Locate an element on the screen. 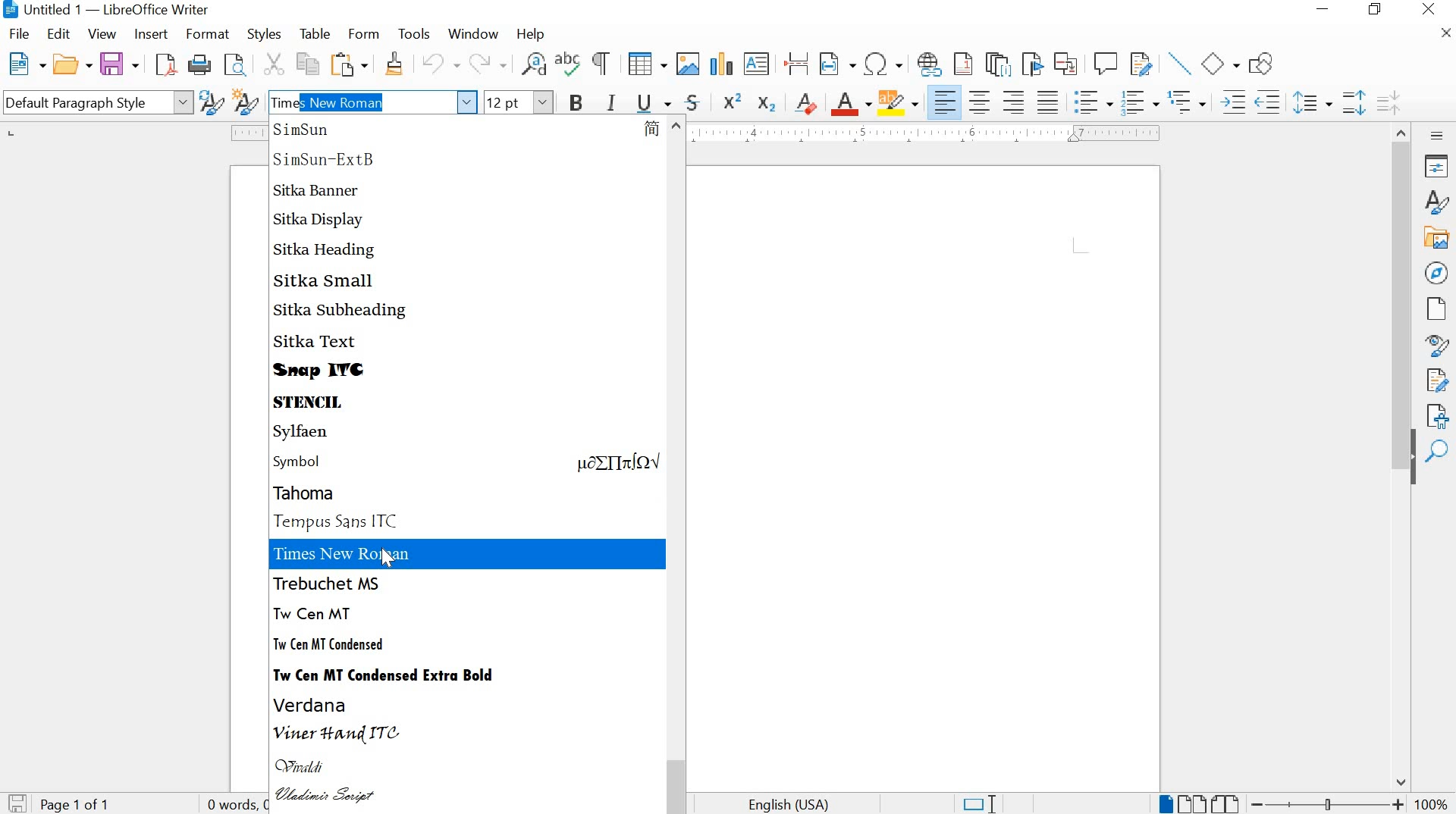 This screenshot has width=1456, height=814. SET LINE SPACING is located at coordinates (1311, 102).